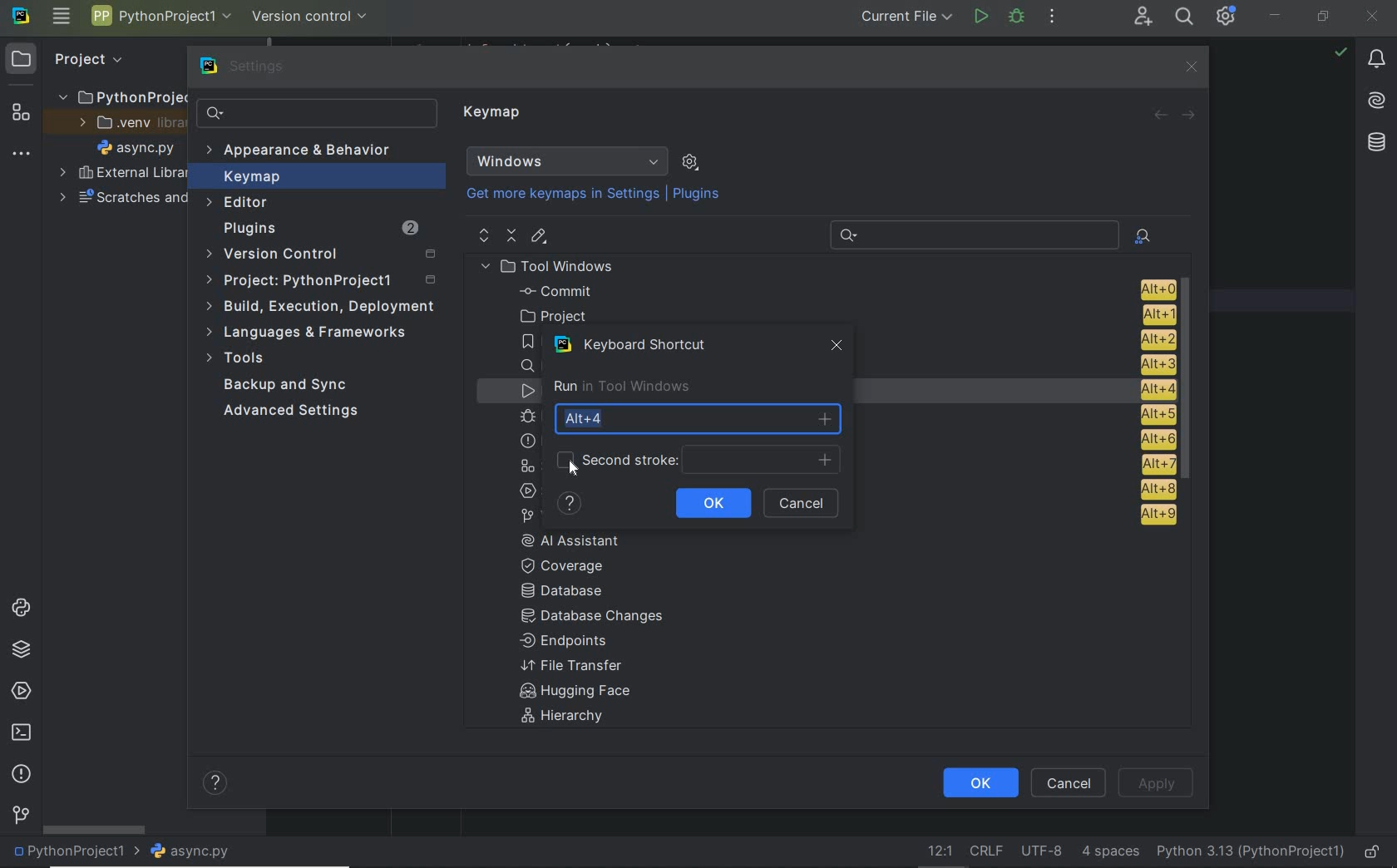 The image size is (1397, 868). Describe the element at coordinates (1340, 52) in the screenshot. I see `no problems` at that location.